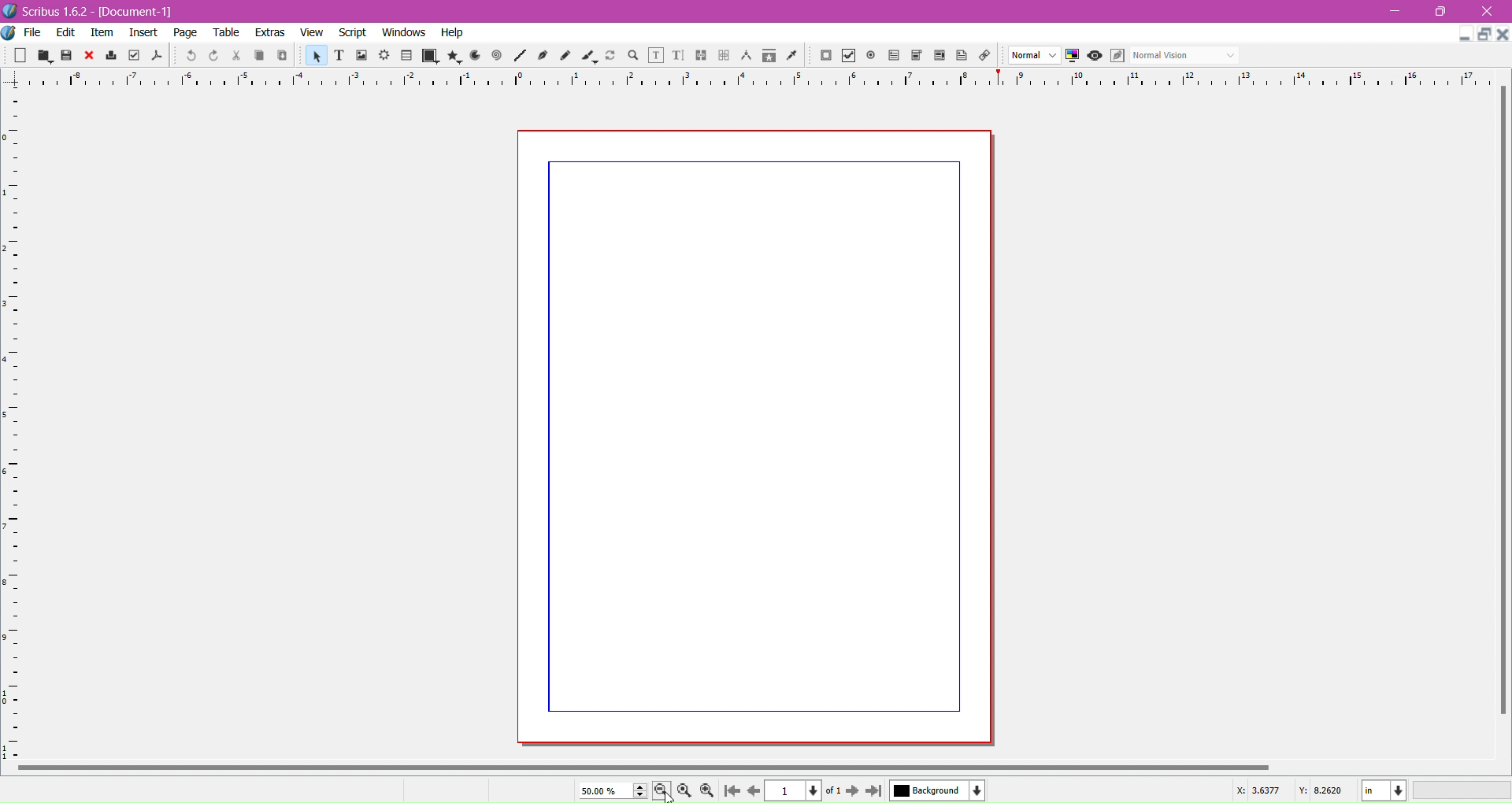  What do you see at coordinates (850, 55) in the screenshot?
I see `PDF Check Box` at bounding box center [850, 55].